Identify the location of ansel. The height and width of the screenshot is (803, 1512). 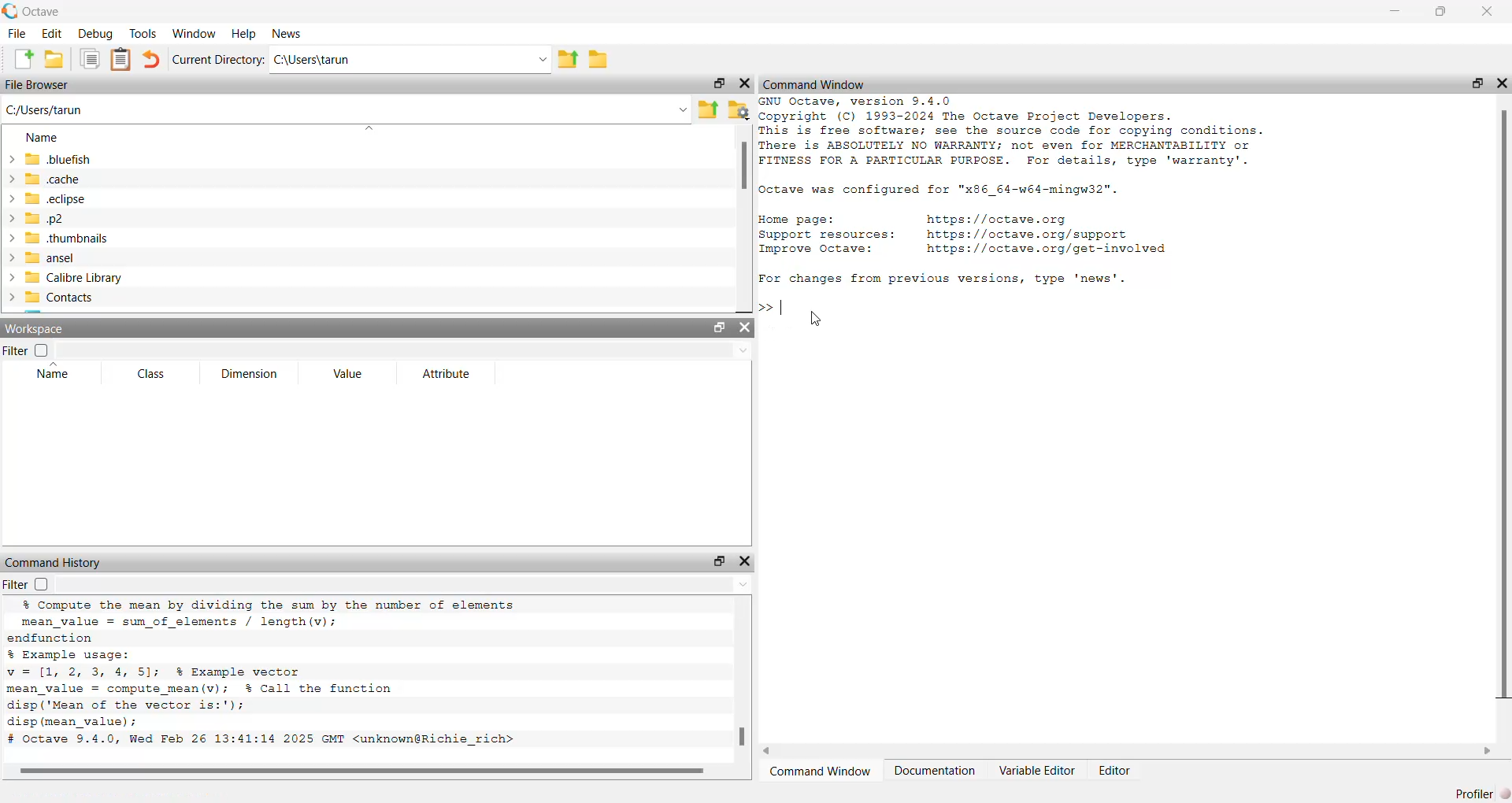
(50, 259).